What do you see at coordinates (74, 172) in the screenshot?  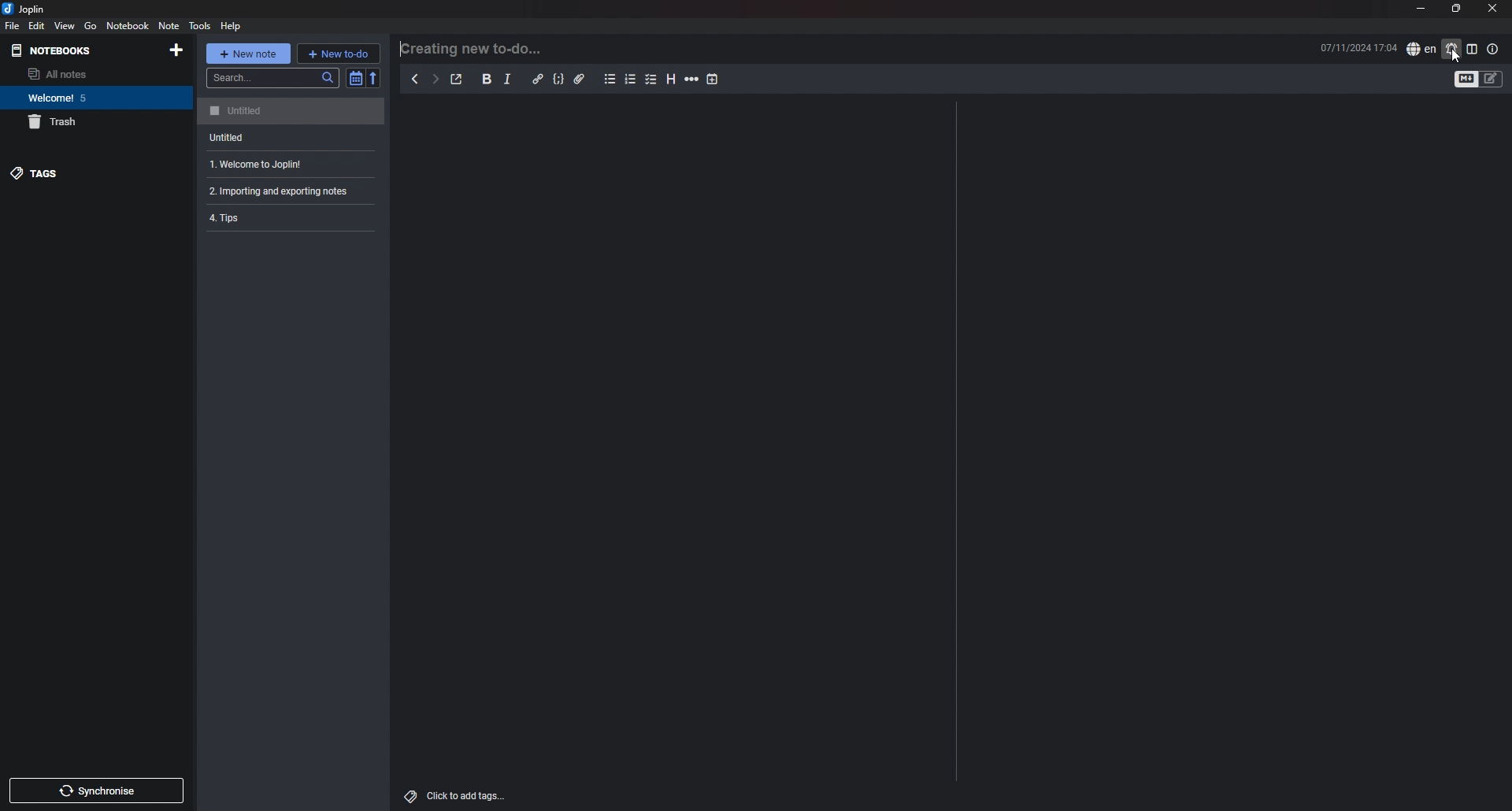 I see `tags` at bounding box center [74, 172].